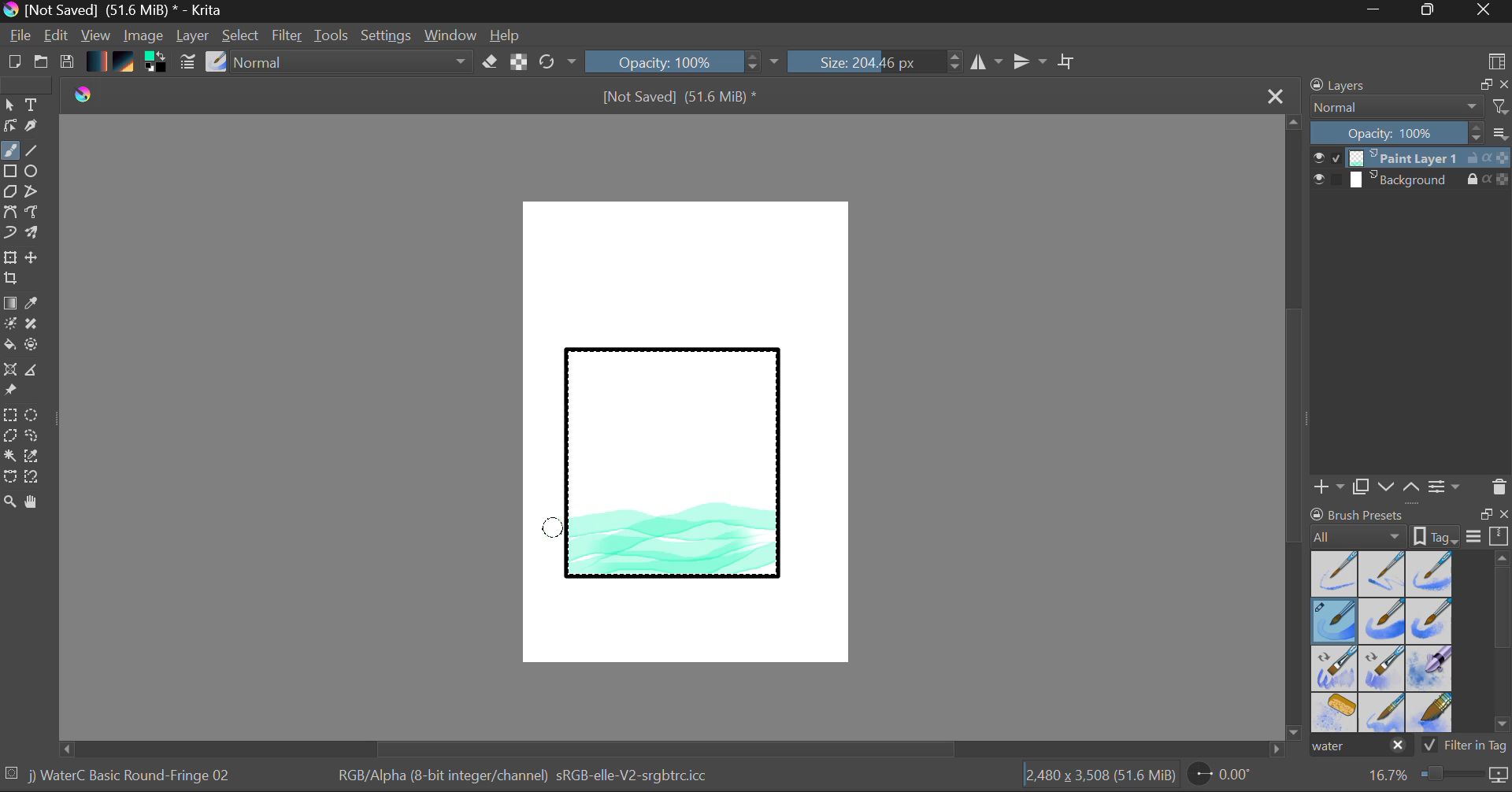  Describe the element at coordinates (35, 304) in the screenshot. I see `Eyedropper` at that location.